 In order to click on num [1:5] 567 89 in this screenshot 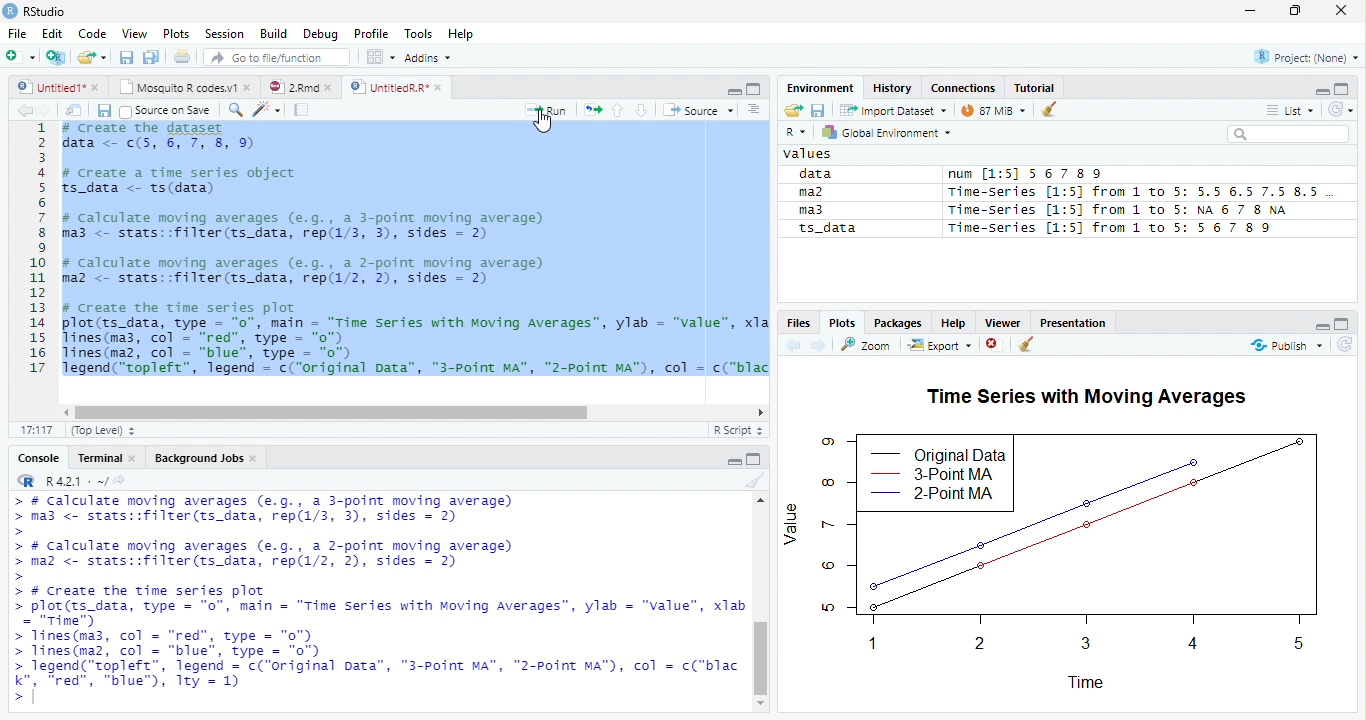, I will do `click(1026, 174)`.